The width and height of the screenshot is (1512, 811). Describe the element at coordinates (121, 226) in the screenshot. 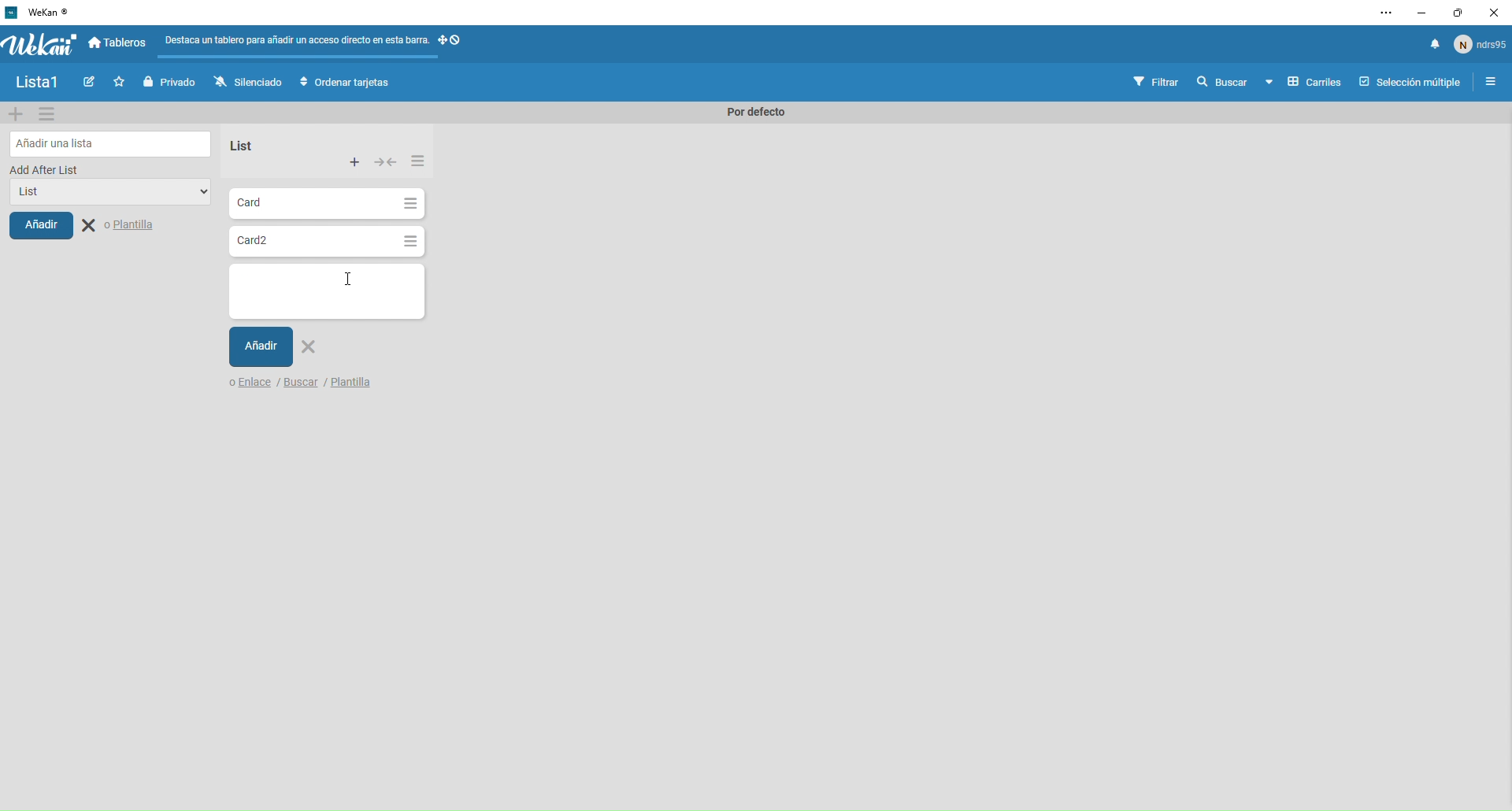

I see `Close` at that location.